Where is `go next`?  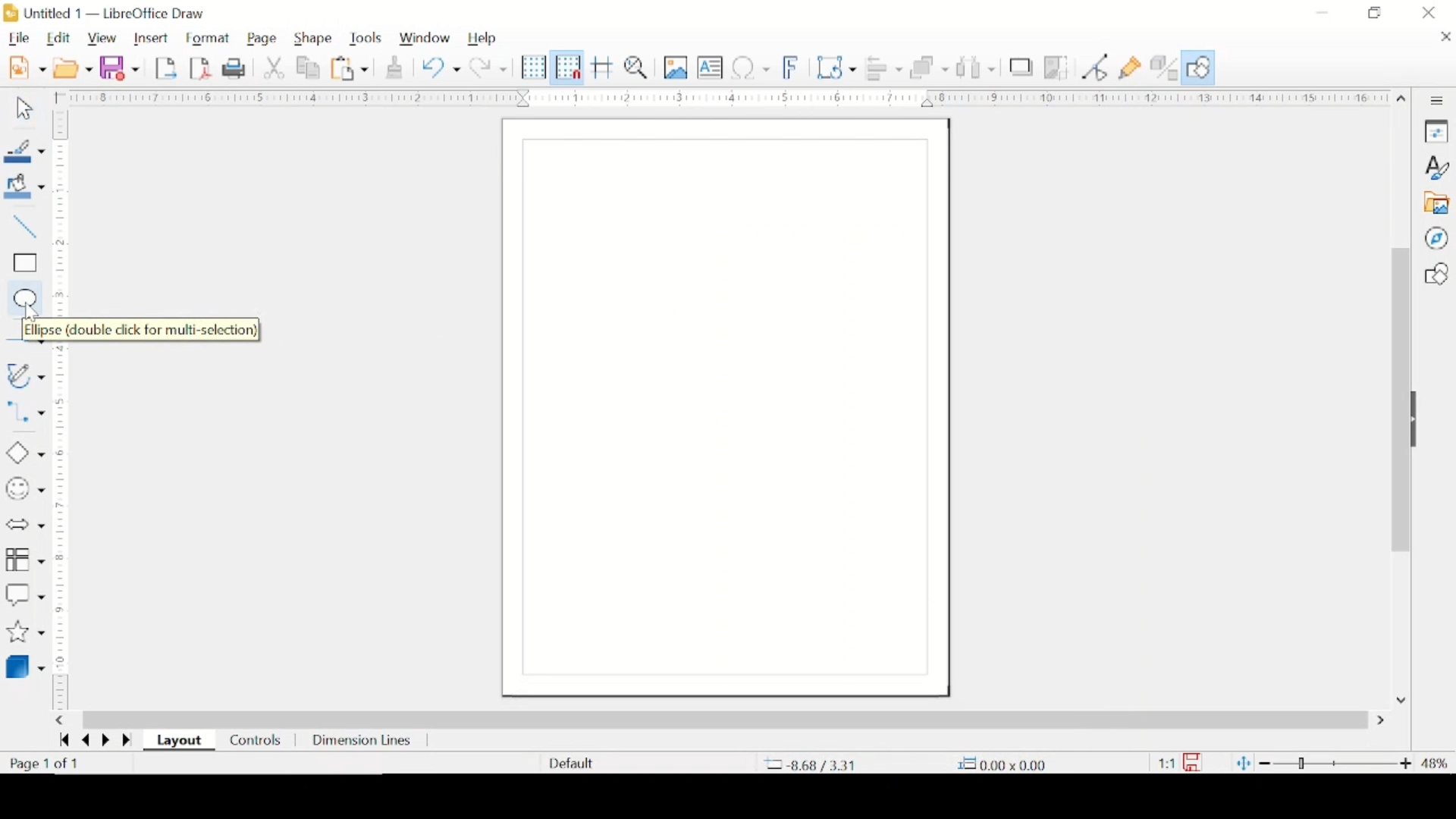
go next is located at coordinates (102, 740).